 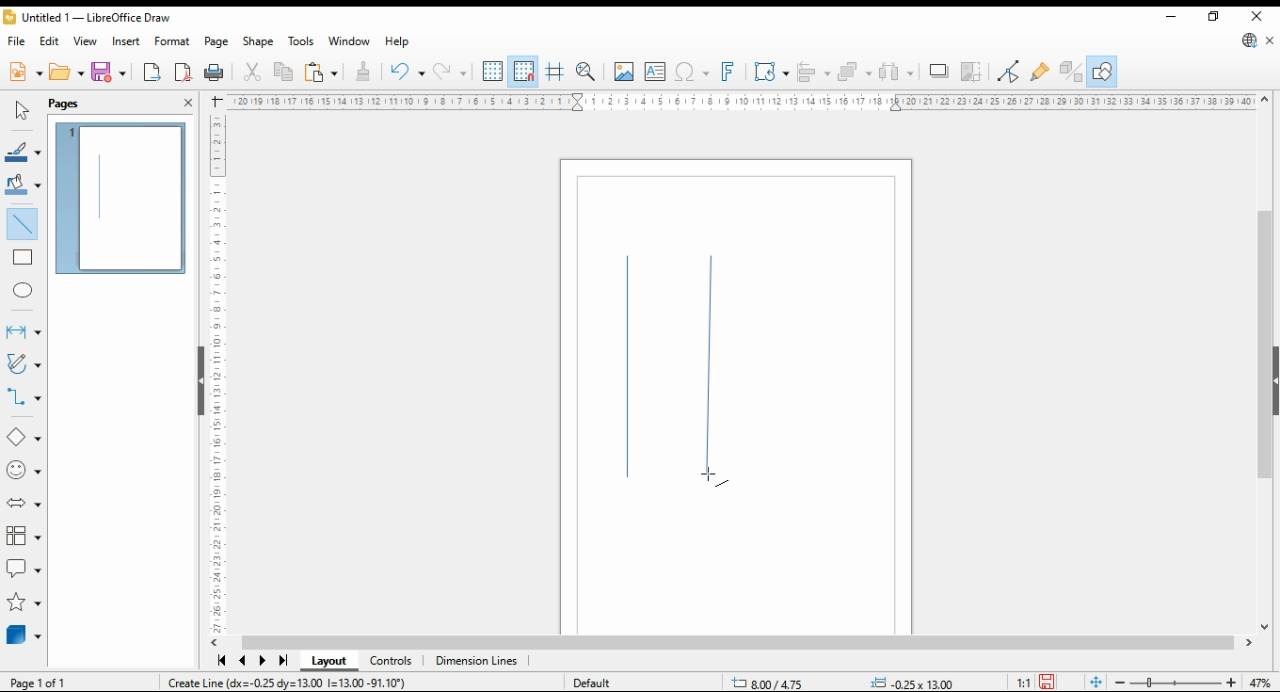 I want to click on page 1, so click(x=123, y=199).